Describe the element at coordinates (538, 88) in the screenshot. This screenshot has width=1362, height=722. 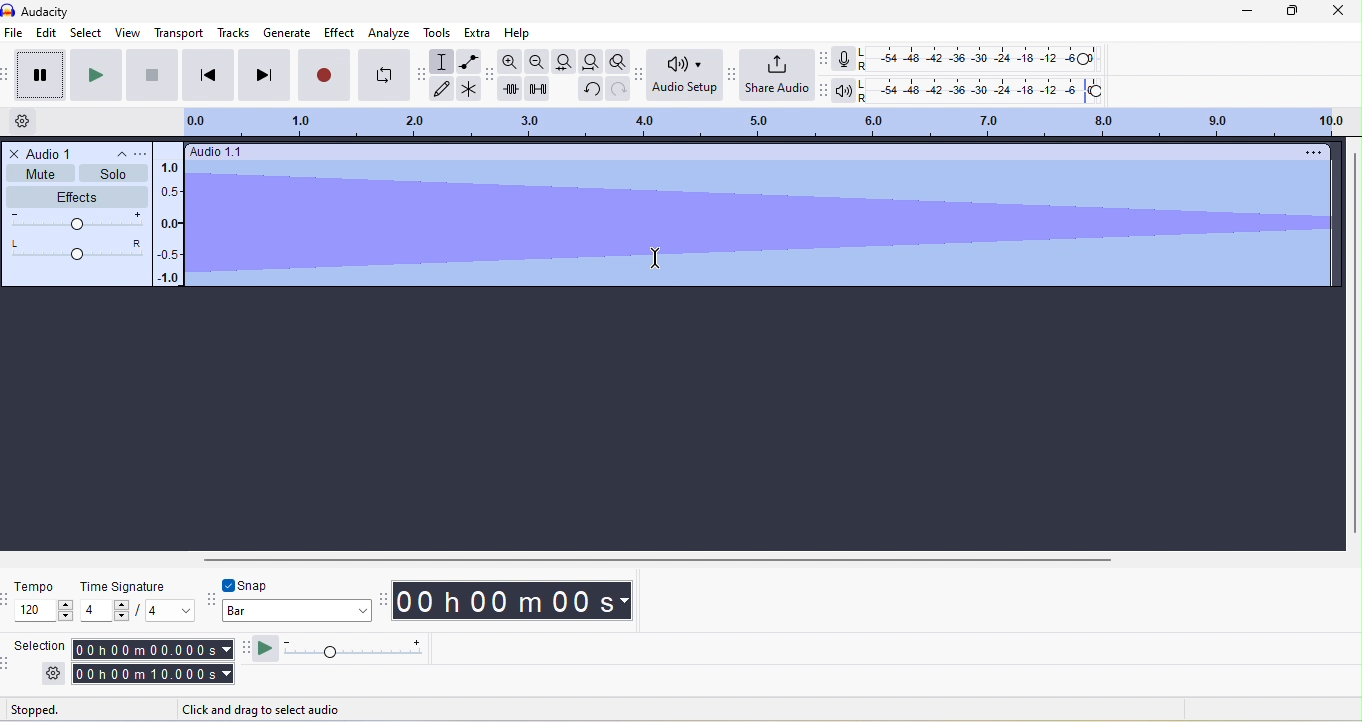
I see `silence audio selection` at that location.